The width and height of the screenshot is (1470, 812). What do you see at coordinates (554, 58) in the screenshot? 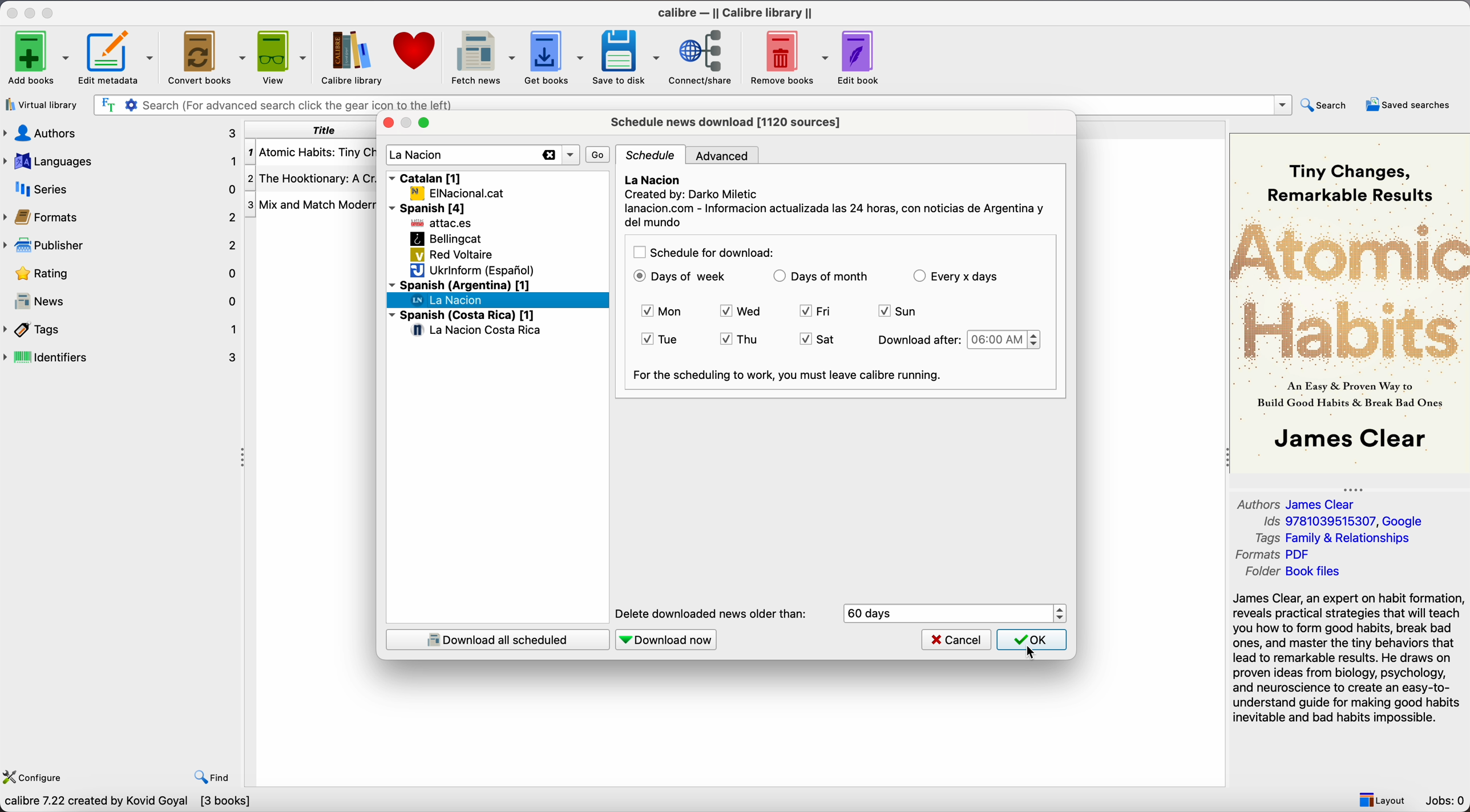
I see `get books` at bounding box center [554, 58].